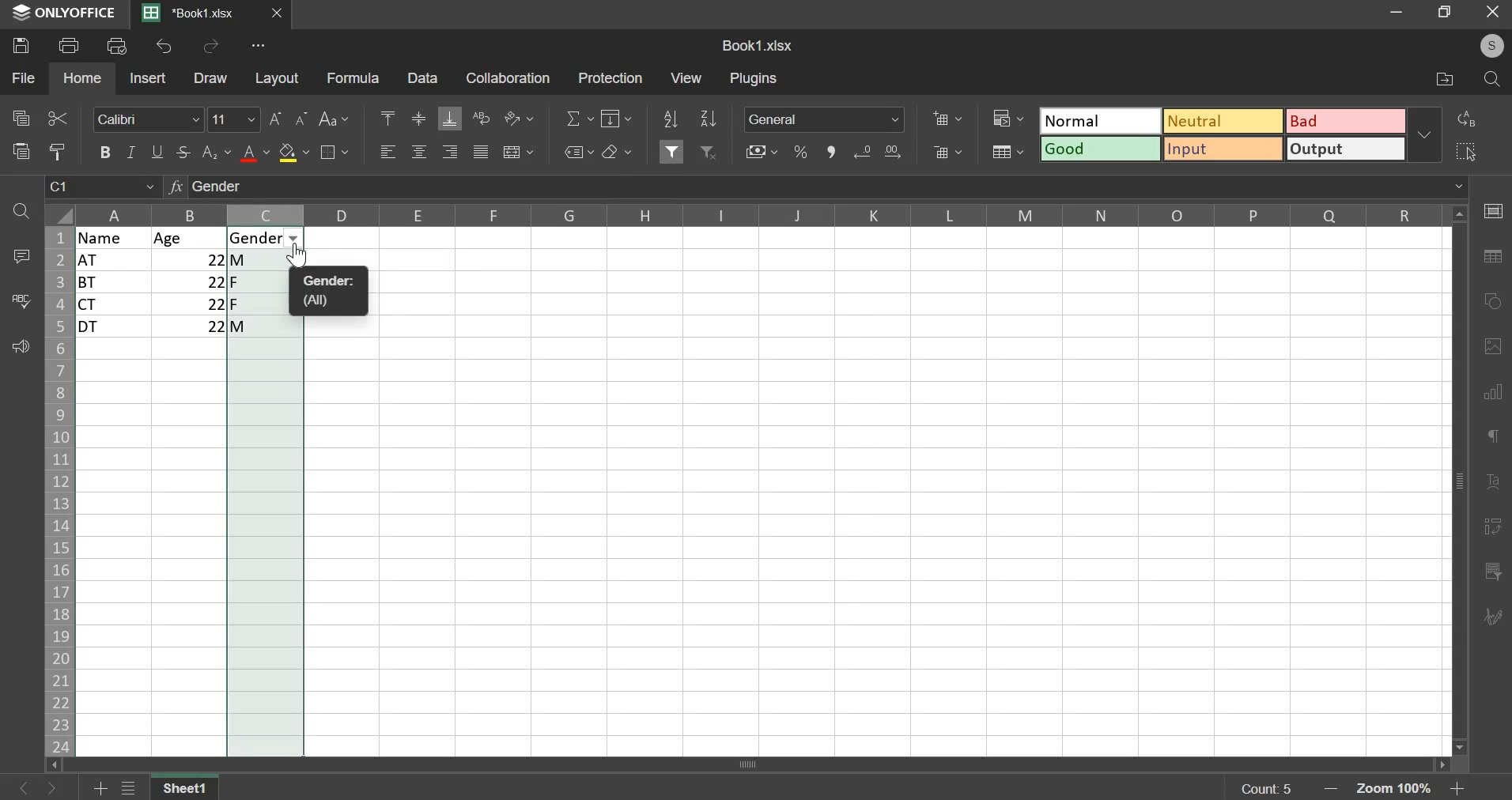 Image resolution: width=1512 pixels, height=800 pixels. I want to click on merge and center, so click(519, 153).